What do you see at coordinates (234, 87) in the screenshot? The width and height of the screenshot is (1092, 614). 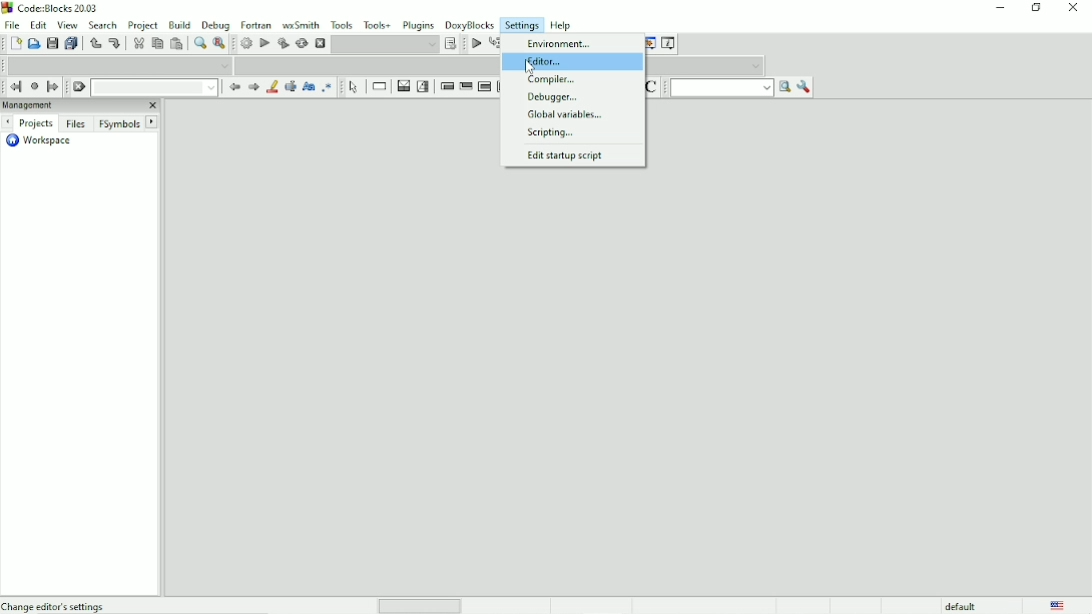 I see `Prev` at bounding box center [234, 87].